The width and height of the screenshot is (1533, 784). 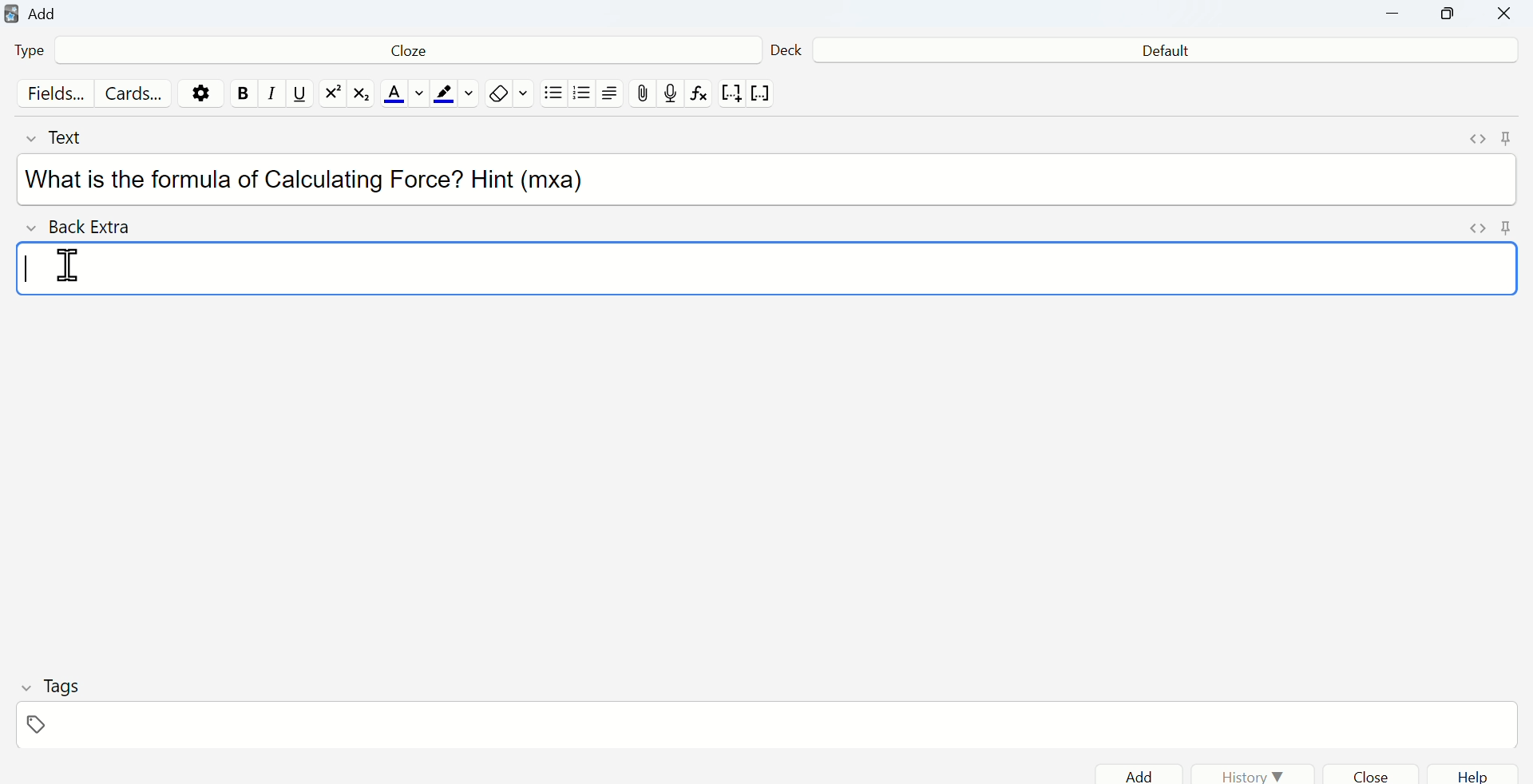 What do you see at coordinates (1507, 137) in the screenshot?
I see `Pin` at bounding box center [1507, 137].